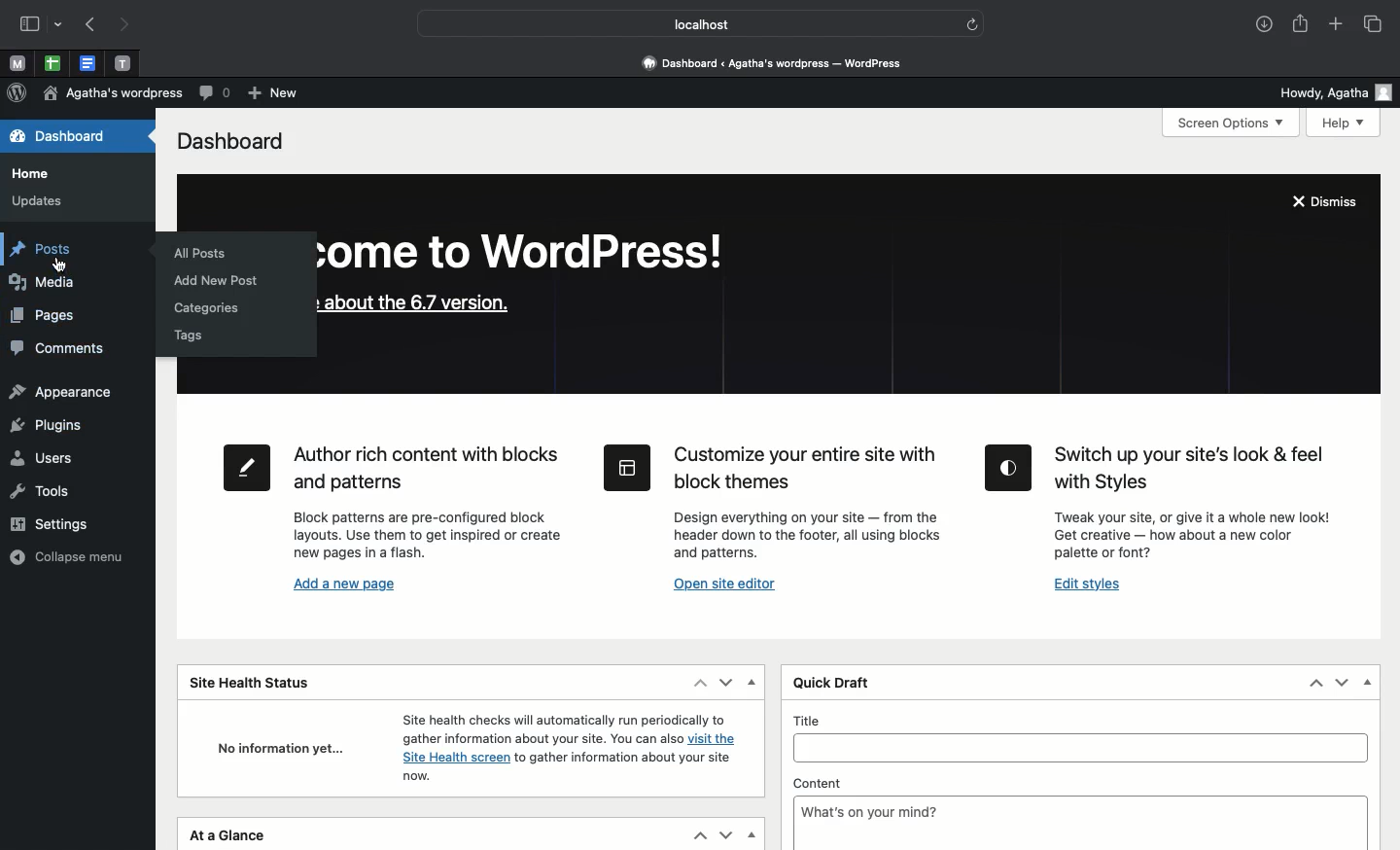 The width and height of the screenshot is (1400, 850). Describe the element at coordinates (200, 253) in the screenshot. I see `All posts` at that location.